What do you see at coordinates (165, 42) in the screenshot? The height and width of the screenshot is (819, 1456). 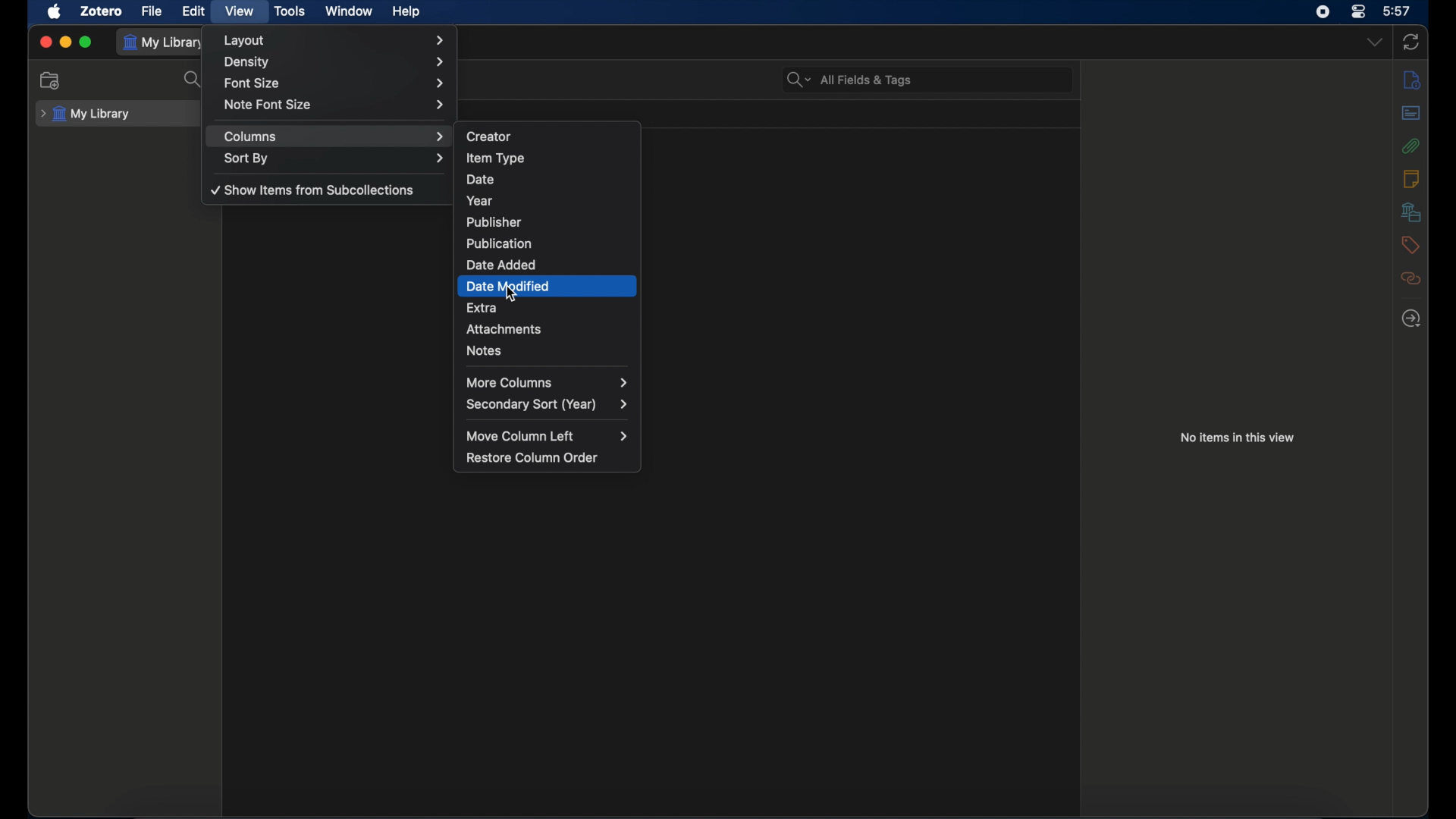 I see `my library` at bounding box center [165, 42].